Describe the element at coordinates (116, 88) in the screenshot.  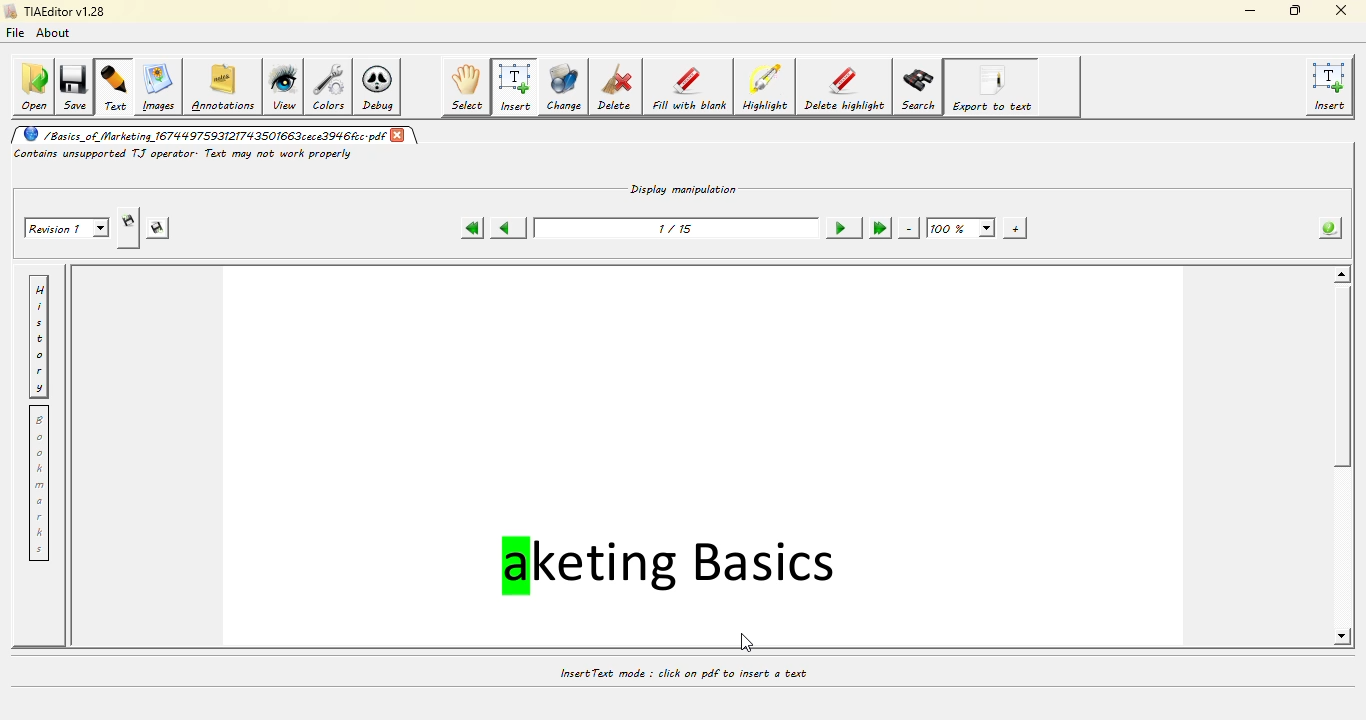
I see `text` at that location.